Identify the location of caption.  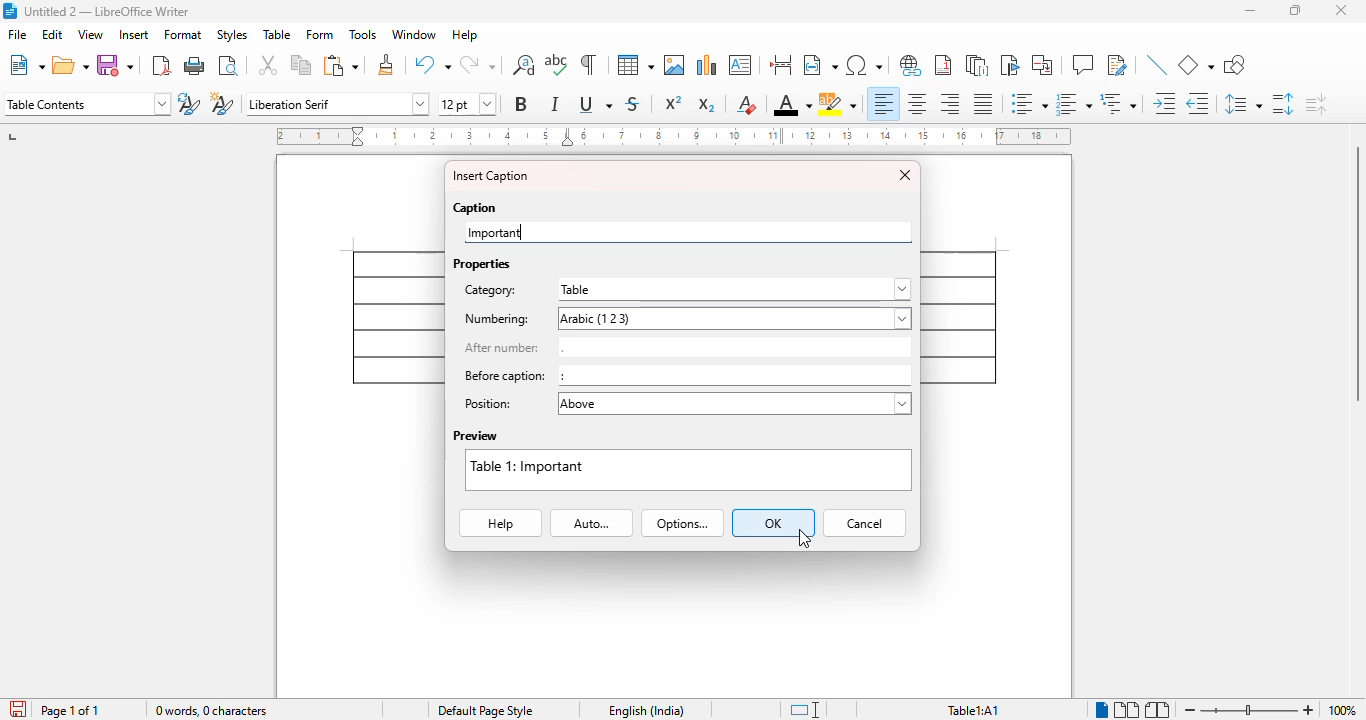
(476, 208).